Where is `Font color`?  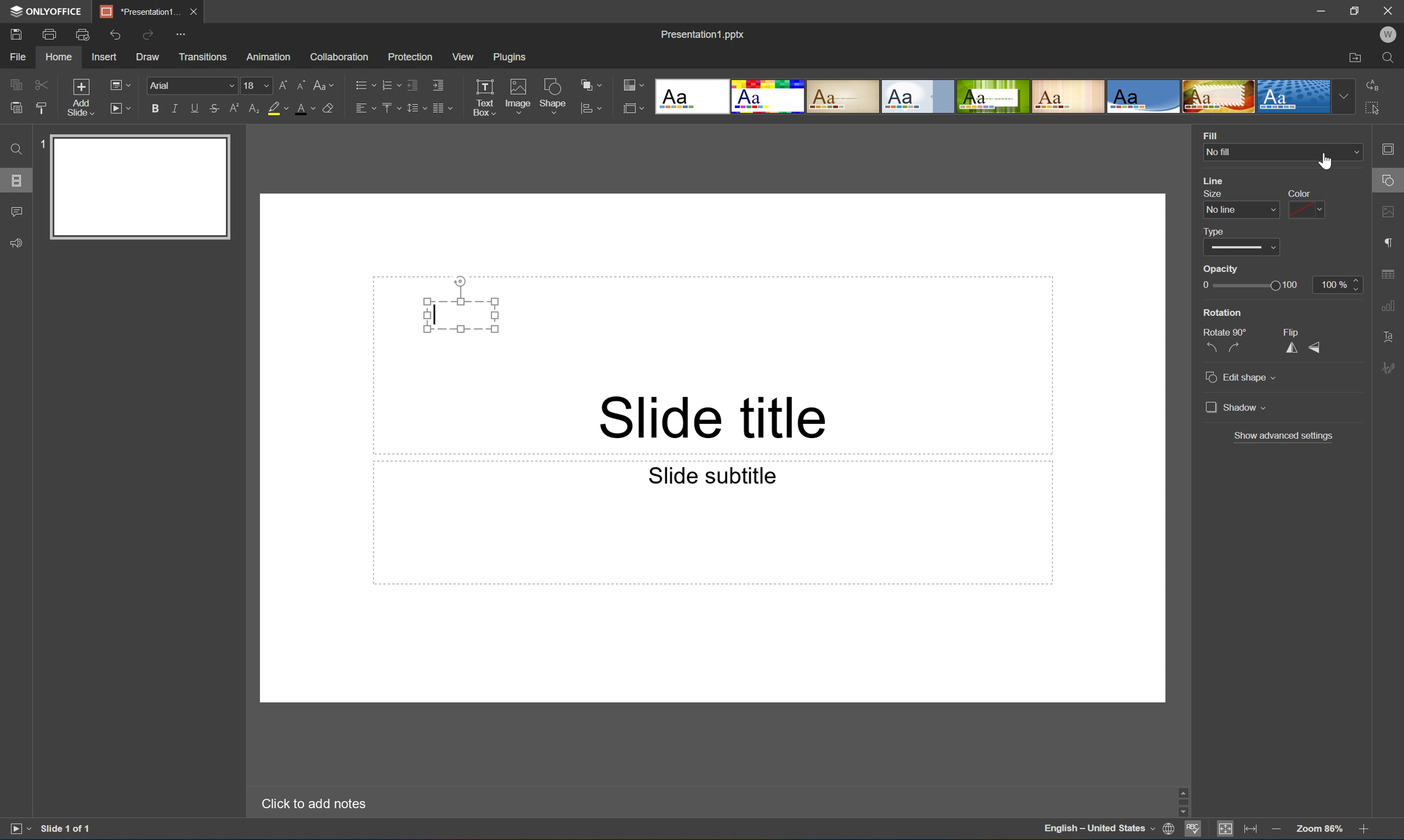 Font color is located at coordinates (303, 108).